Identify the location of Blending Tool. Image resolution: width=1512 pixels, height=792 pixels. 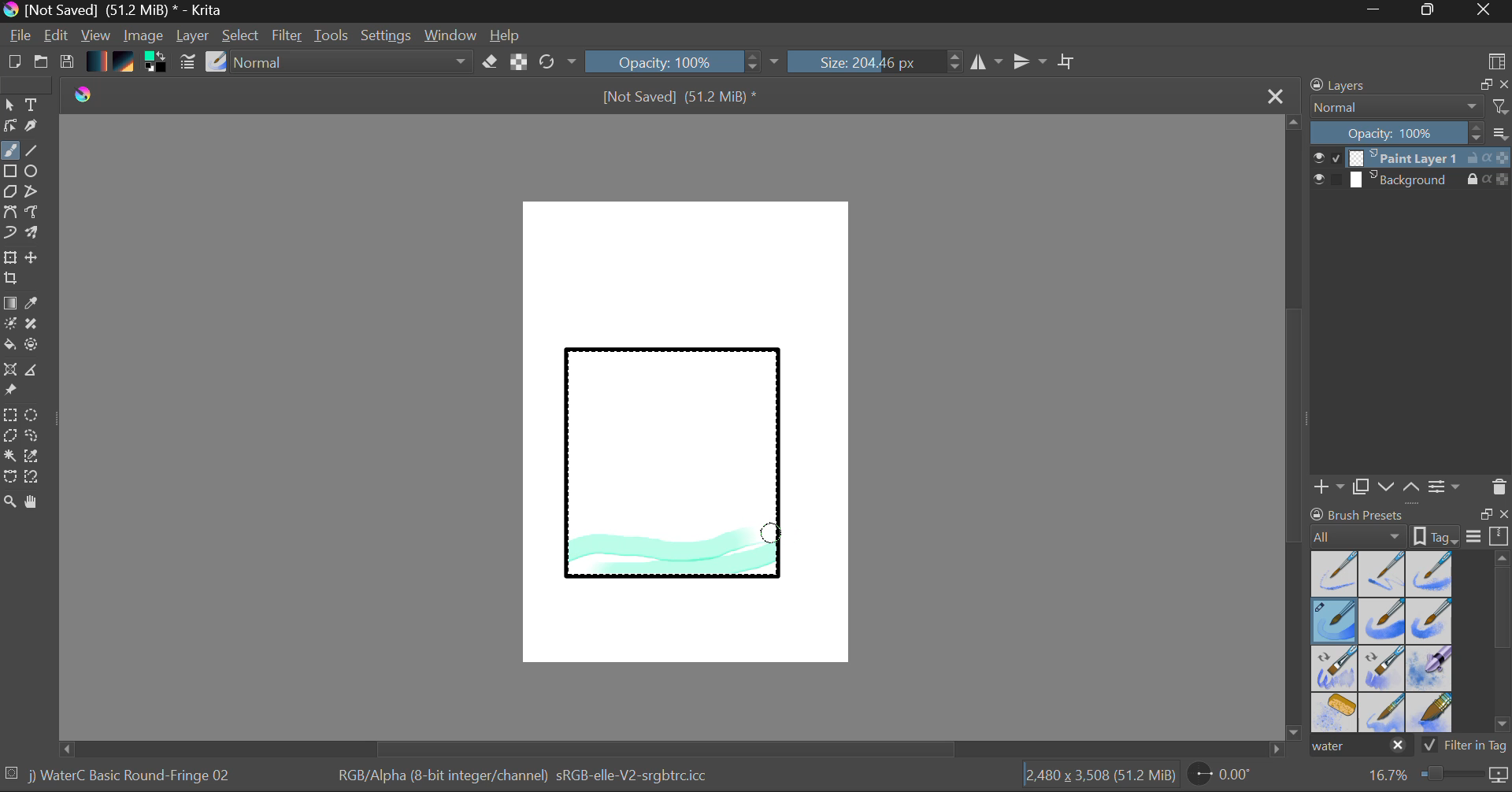
(354, 63).